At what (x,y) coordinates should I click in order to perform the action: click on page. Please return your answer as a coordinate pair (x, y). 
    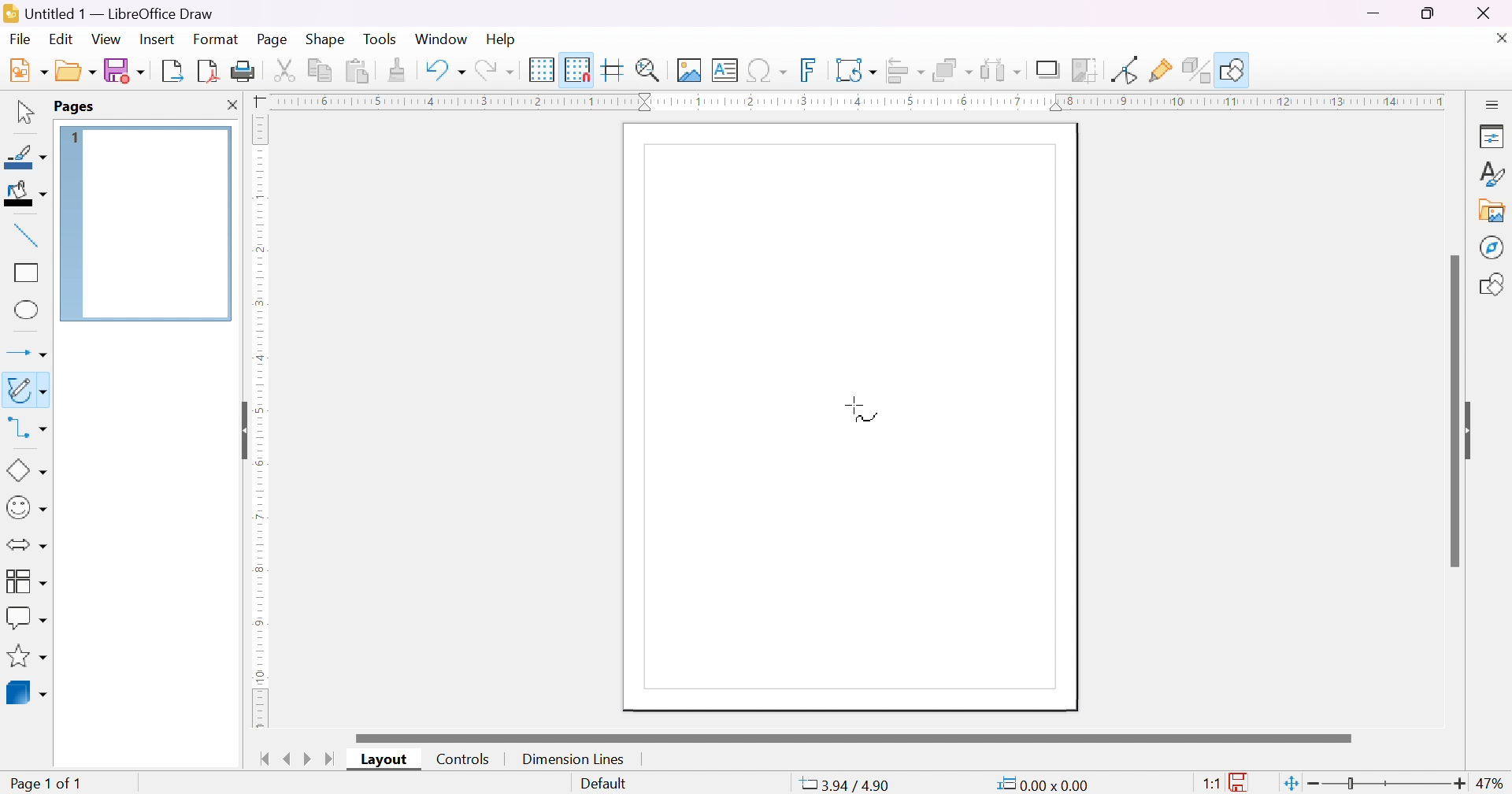
    Looking at the image, I should click on (275, 38).